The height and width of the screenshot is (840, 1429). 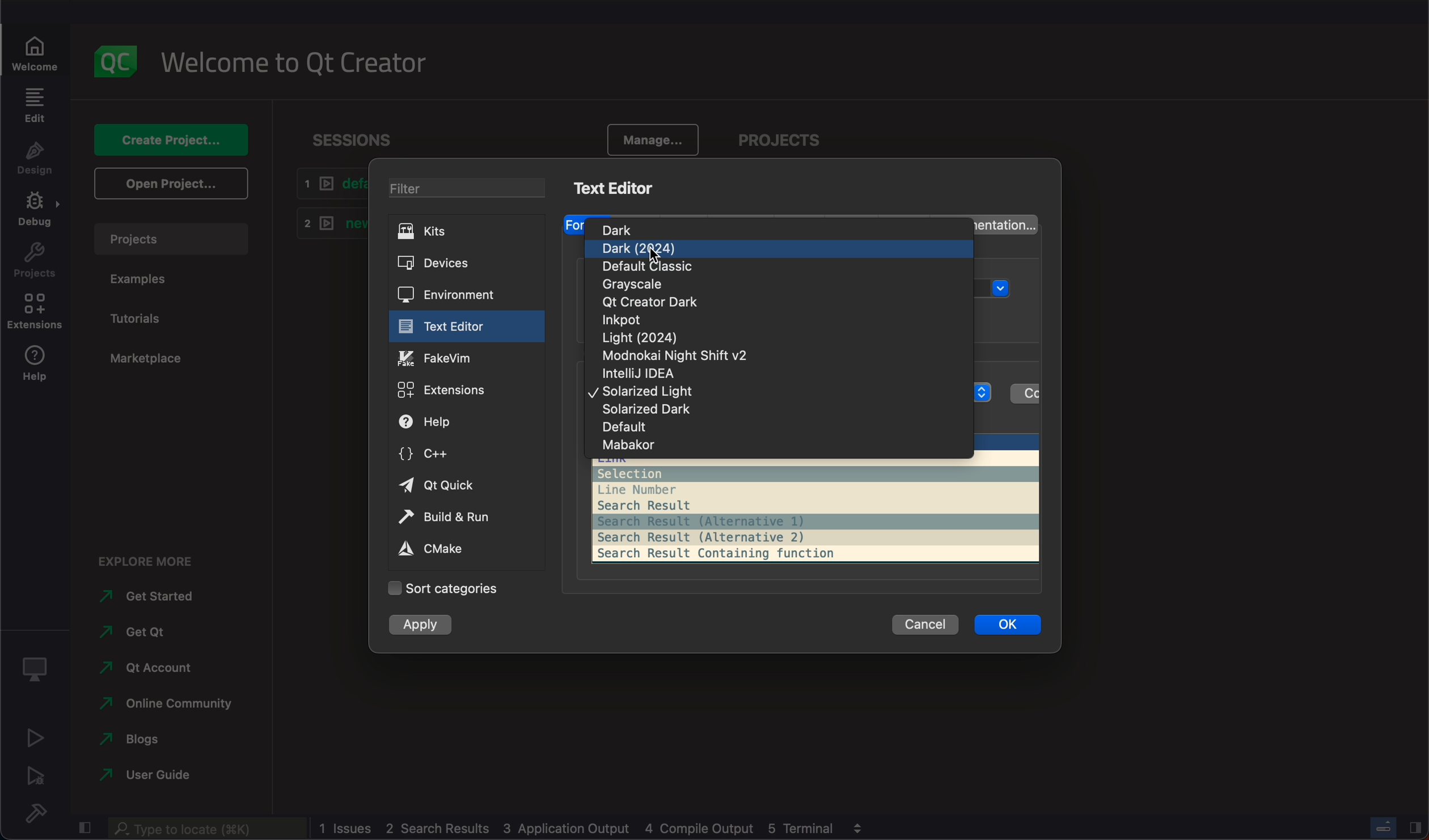 What do you see at coordinates (467, 264) in the screenshot?
I see `devices` at bounding box center [467, 264].